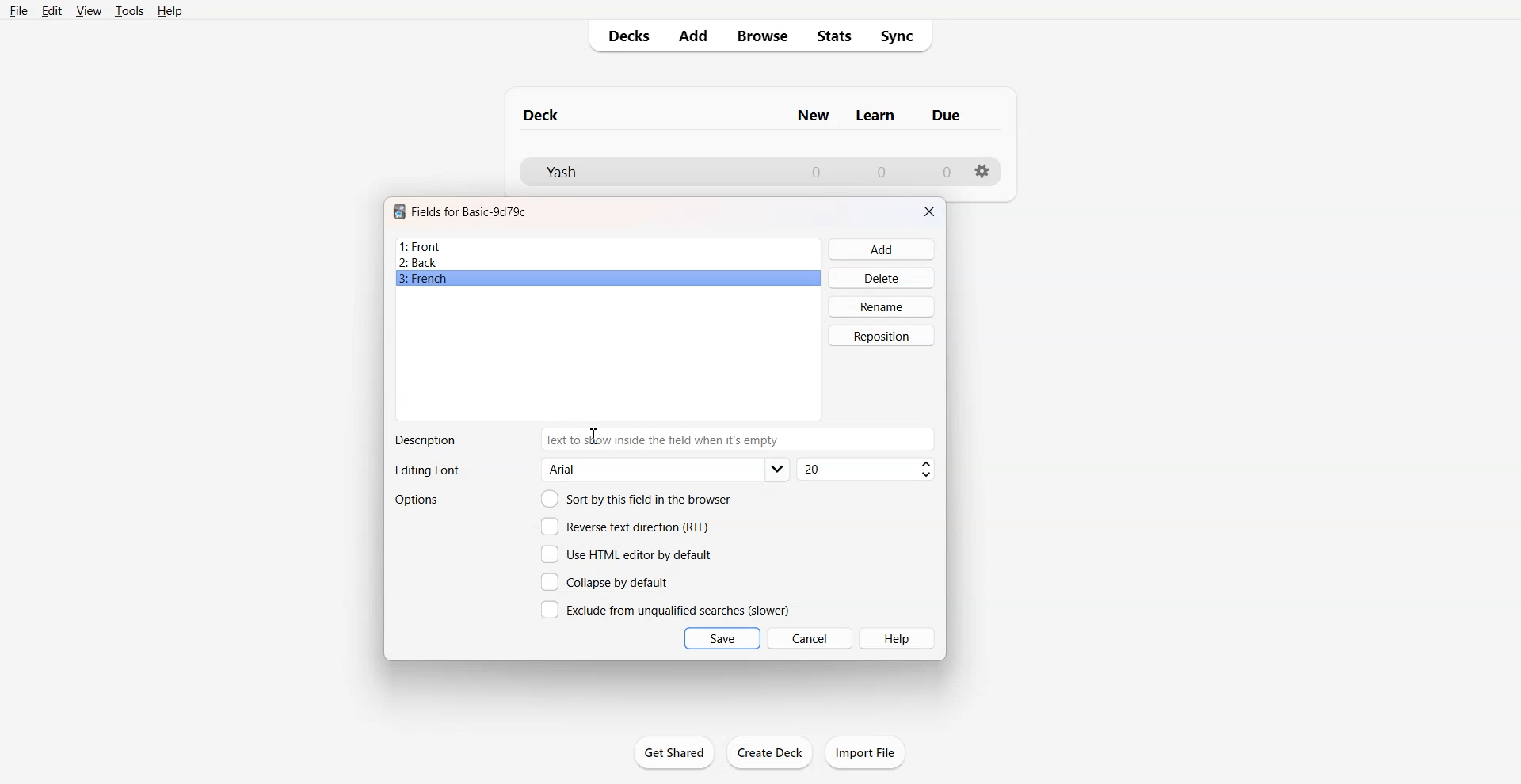  What do you see at coordinates (882, 336) in the screenshot?
I see `Reposition` at bounding box center [882, 336].